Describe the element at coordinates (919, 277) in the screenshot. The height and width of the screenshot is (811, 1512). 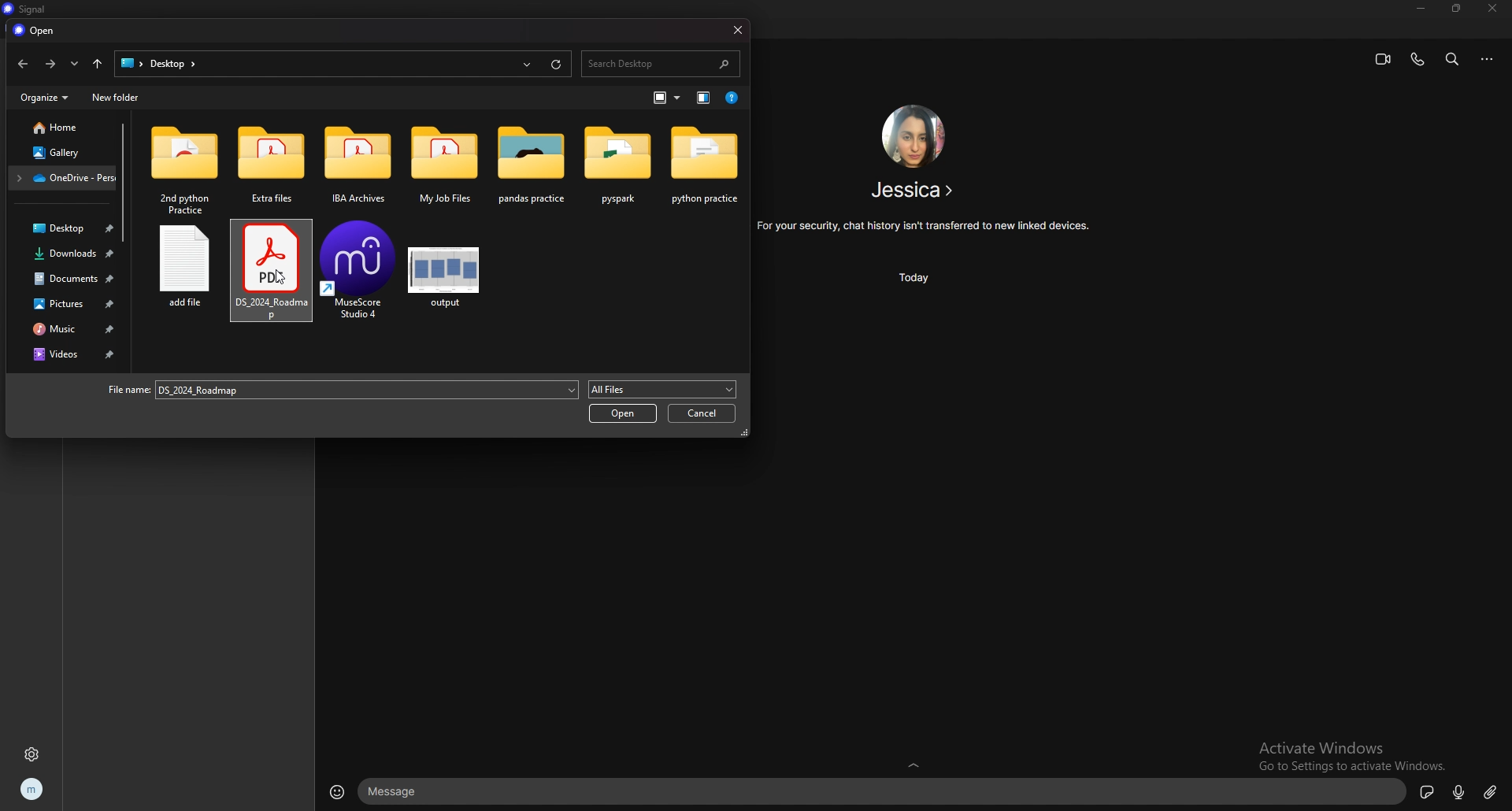
I see `time` at that location.